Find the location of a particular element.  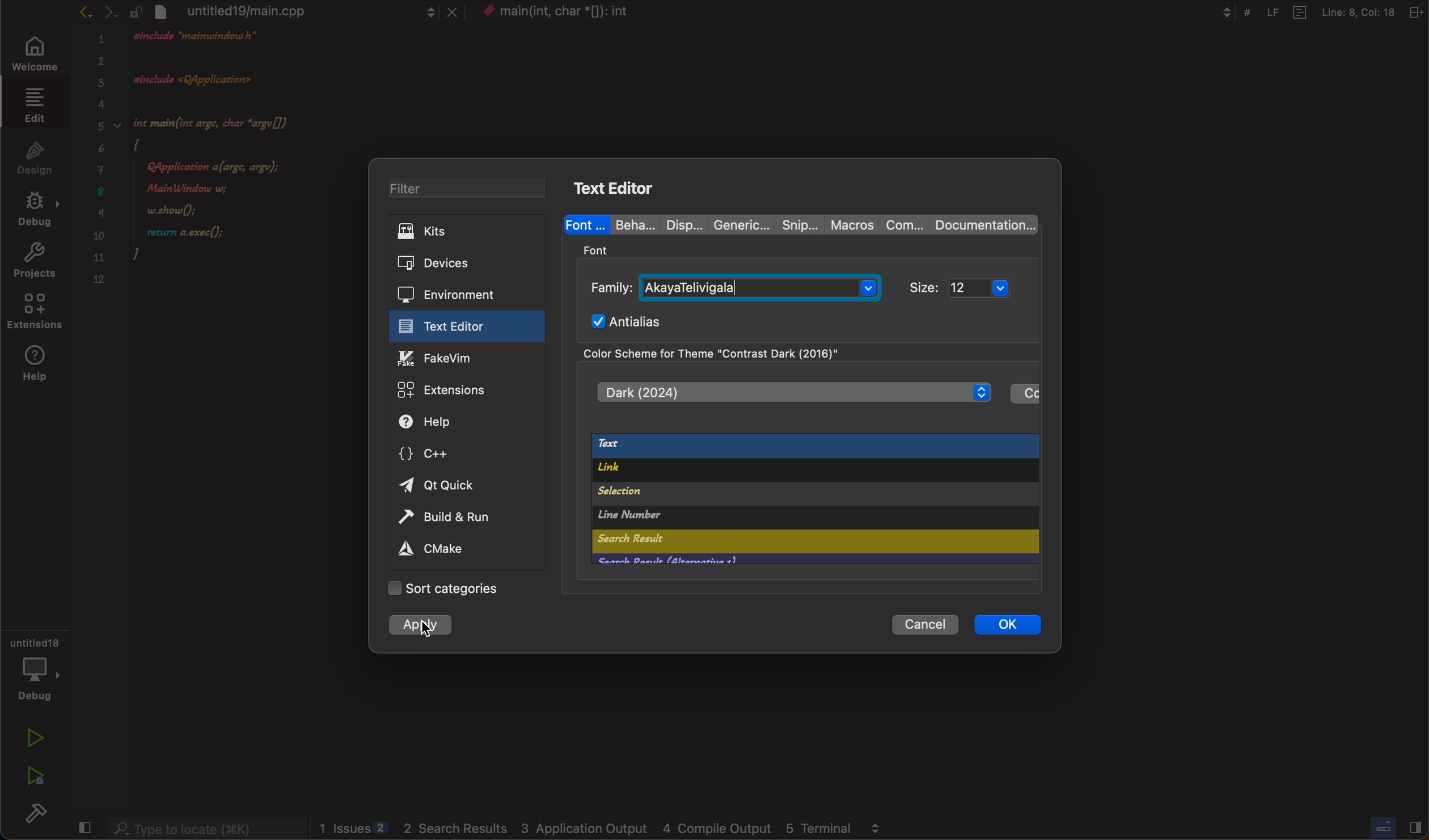

debug is located at coordinates (34, 212).